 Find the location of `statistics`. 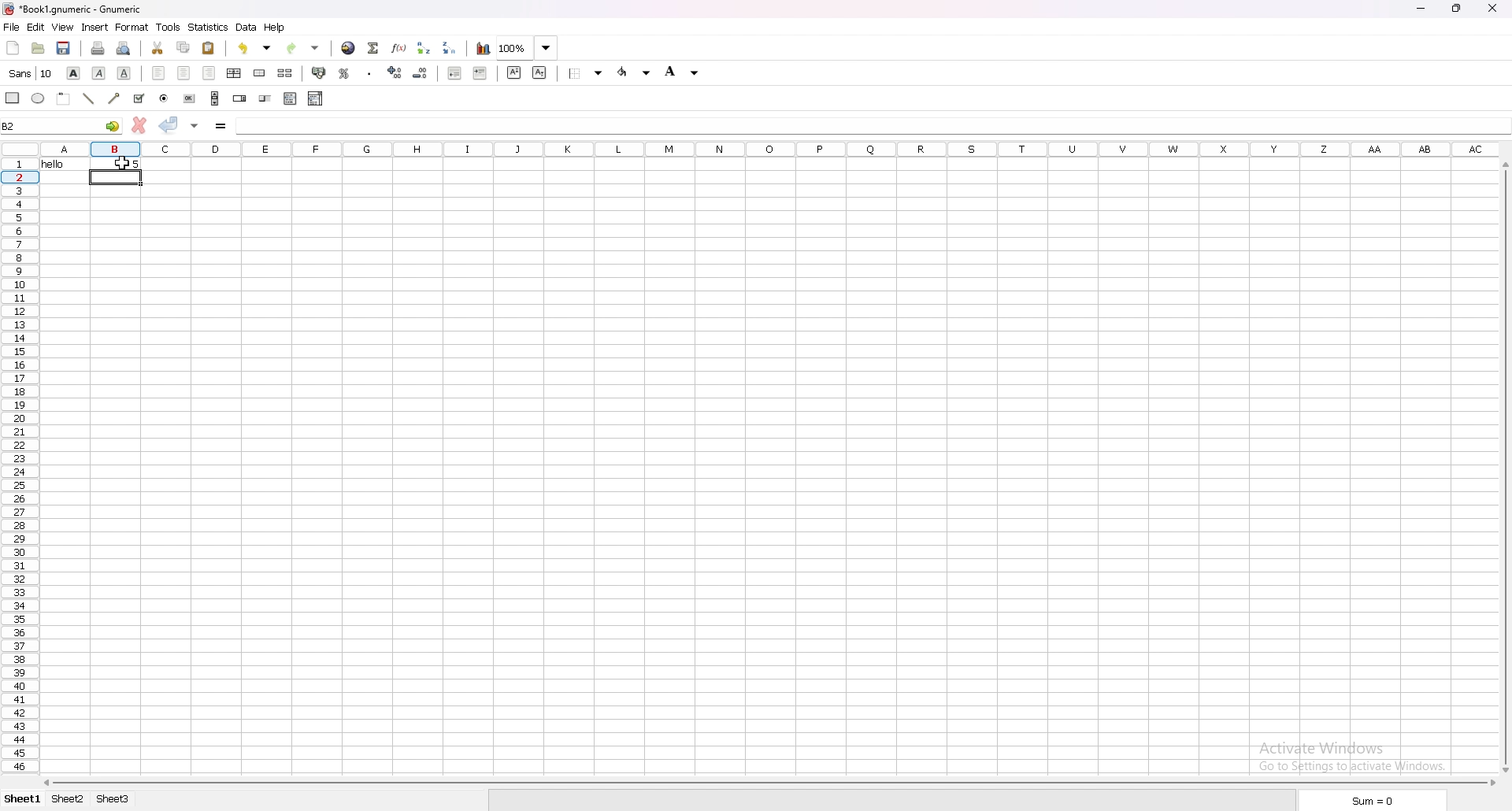

statistics is located at coordinates (209, 28).